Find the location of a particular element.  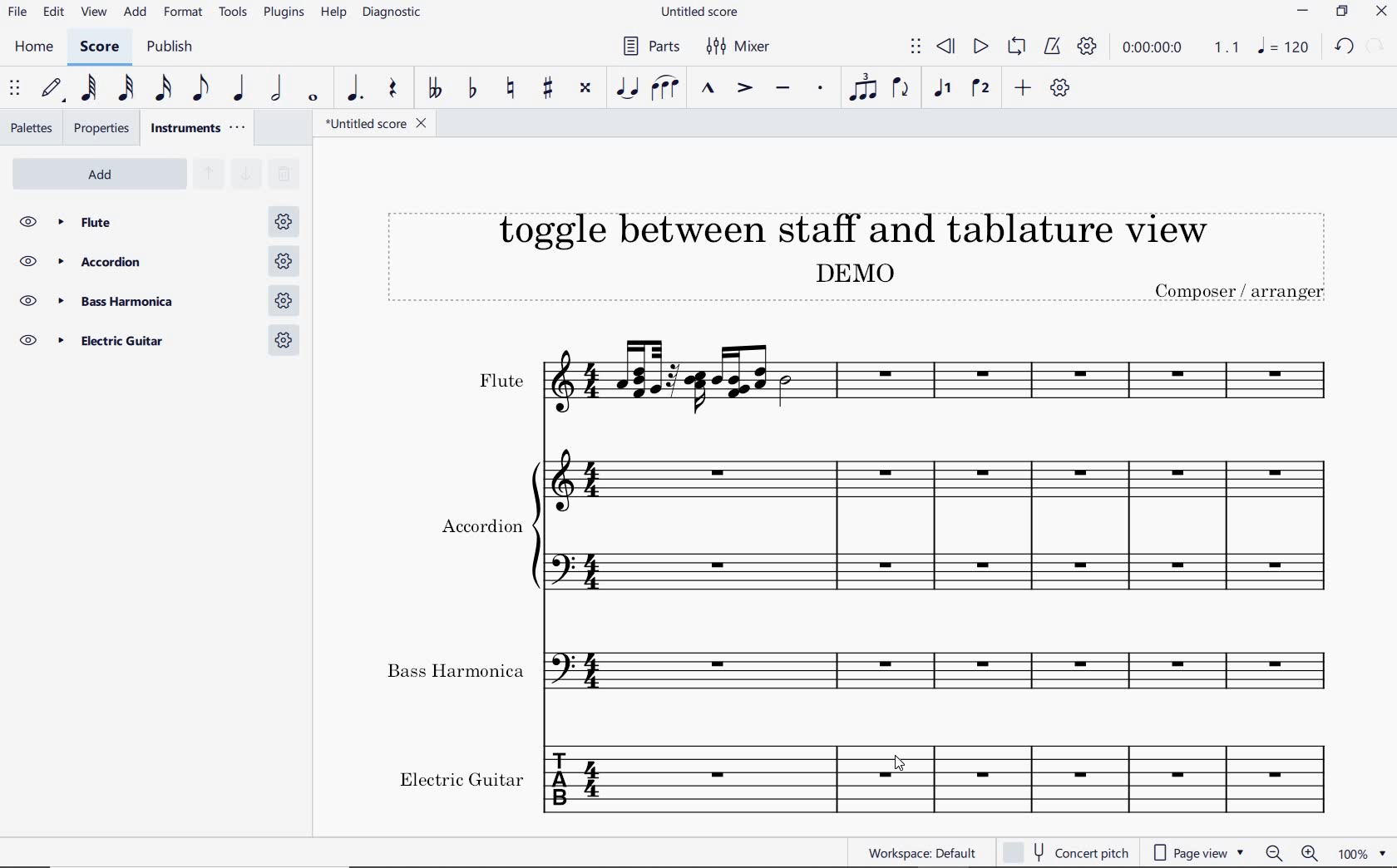

augmentation dot is located at coordinates (353, 88).